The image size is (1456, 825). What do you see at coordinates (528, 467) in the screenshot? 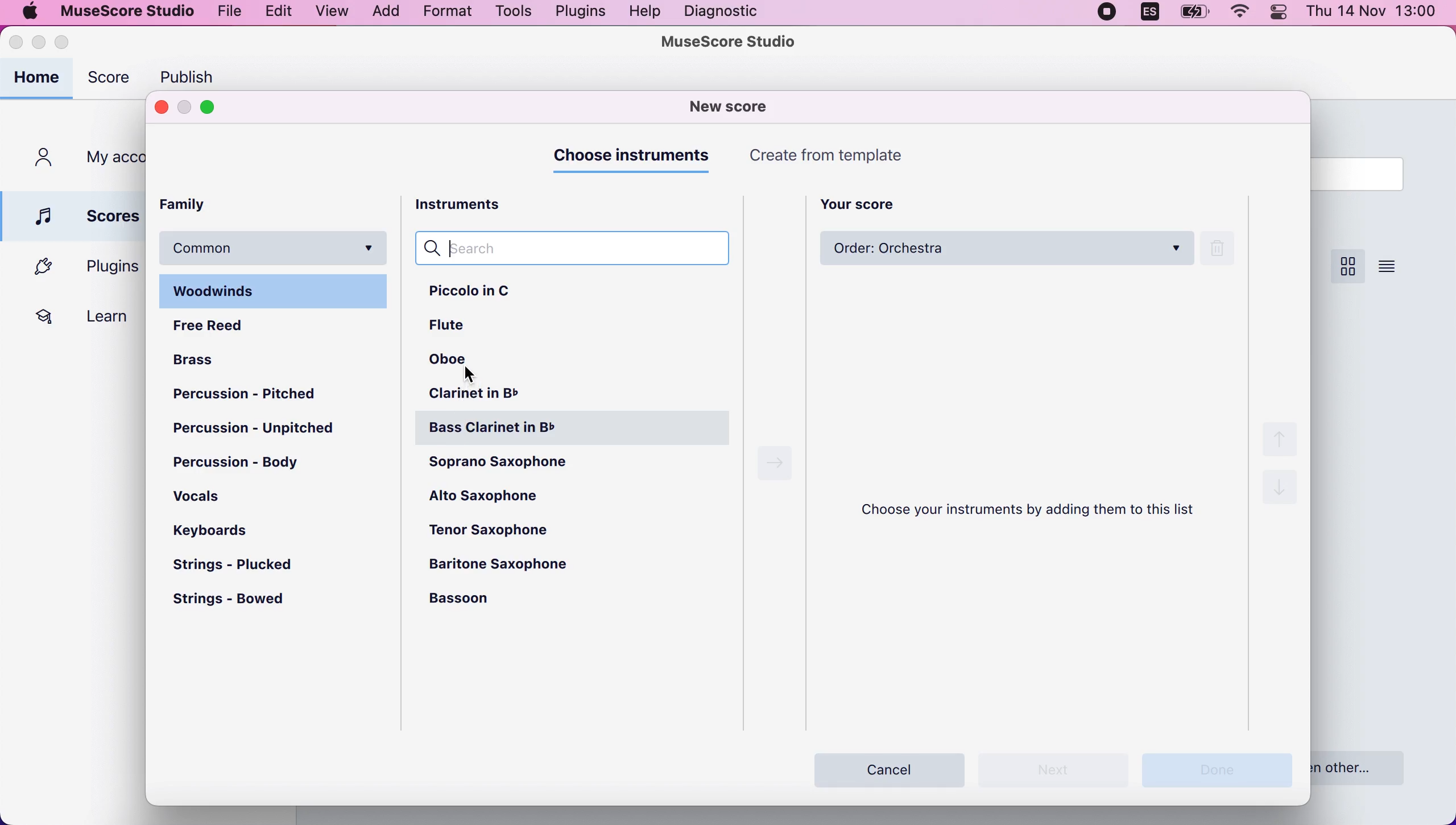
I see `soprano saxophone` at bounding box center [528, 467].